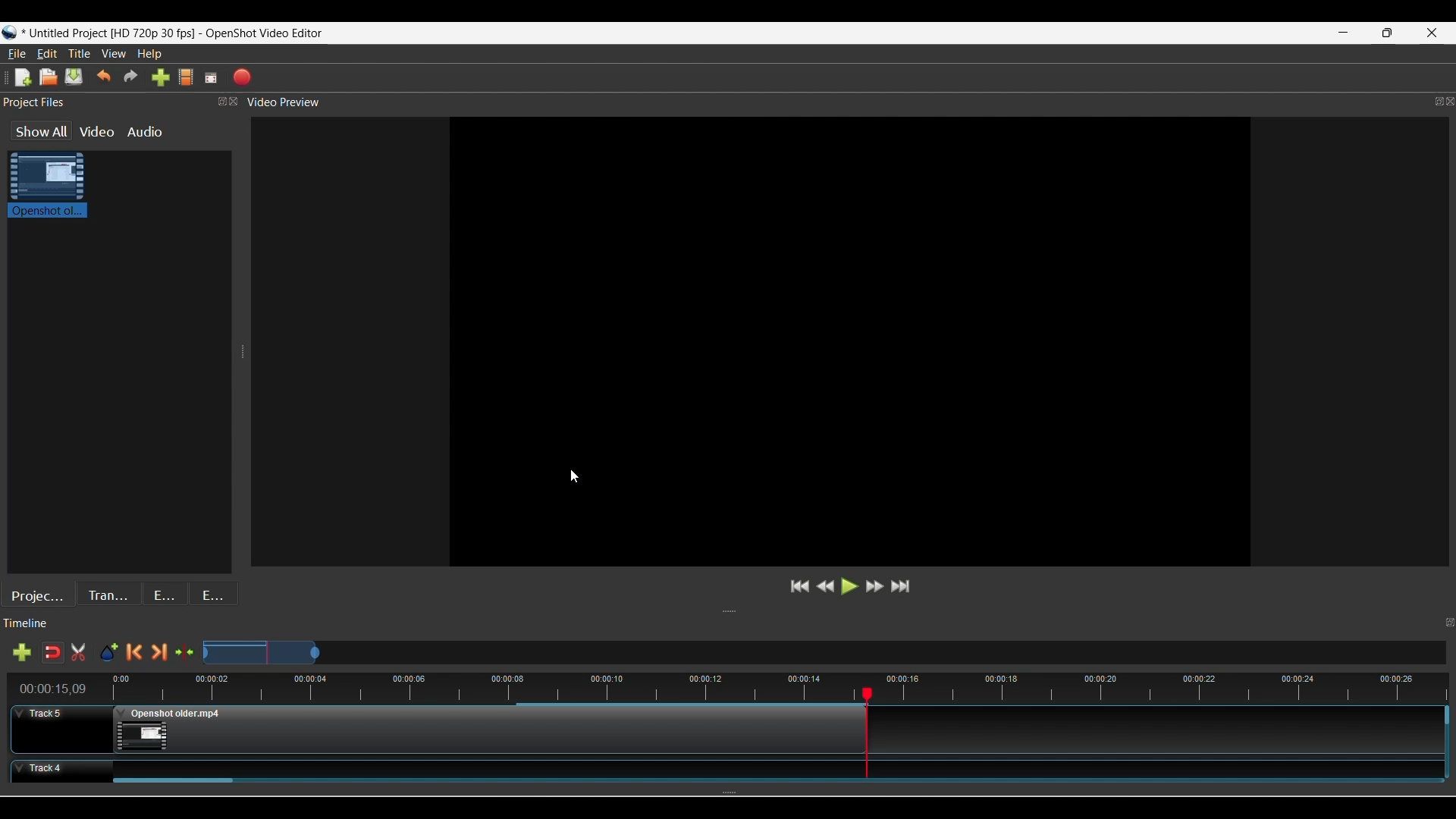 The width and height of the screenshot is (1456, 819). What do you see at coordinates (166, 593) in the screenshot?
I see `Effects` at bounding box center [166, 593].